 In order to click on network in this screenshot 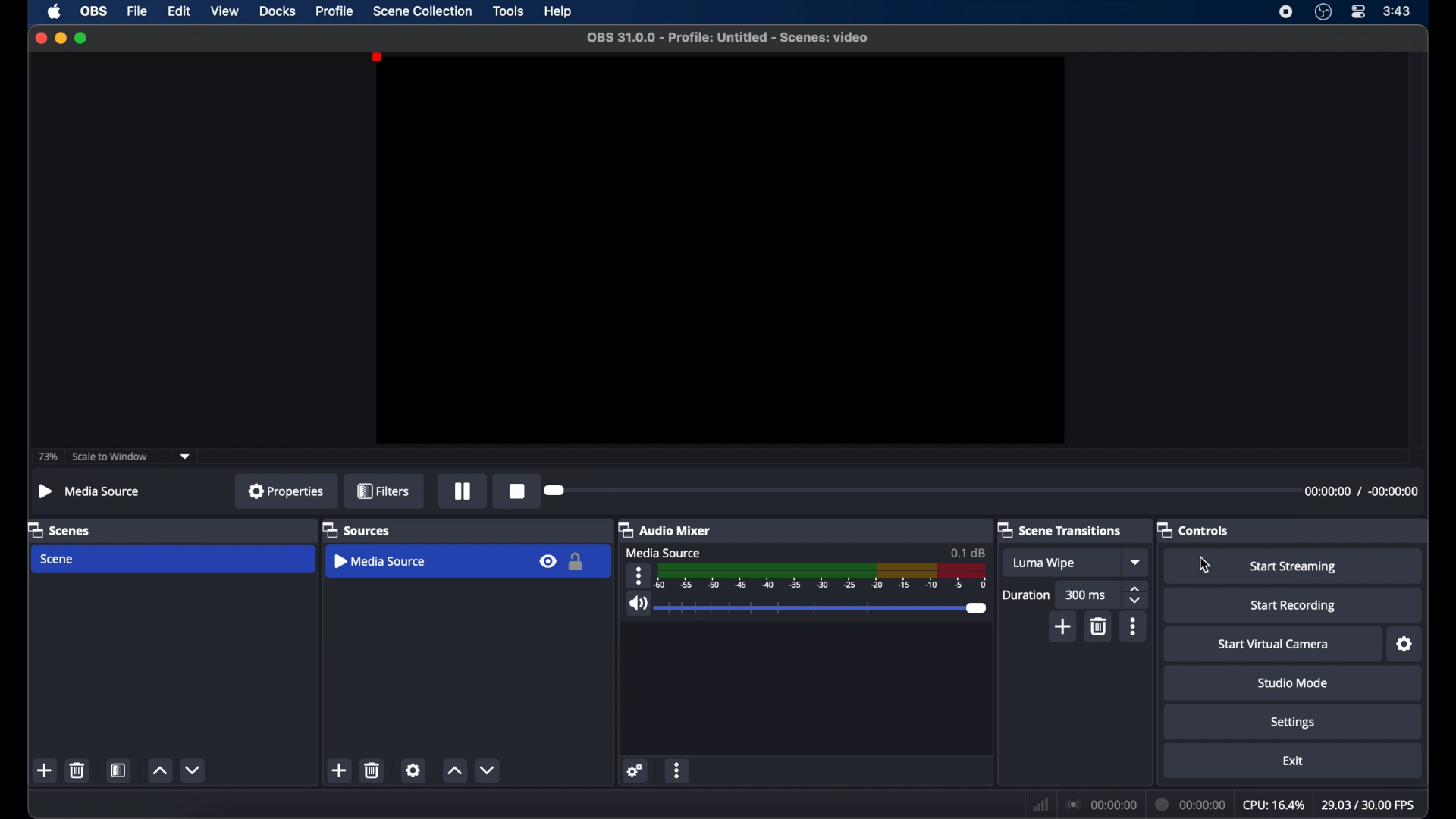, I will do `click(1041, 805)`.